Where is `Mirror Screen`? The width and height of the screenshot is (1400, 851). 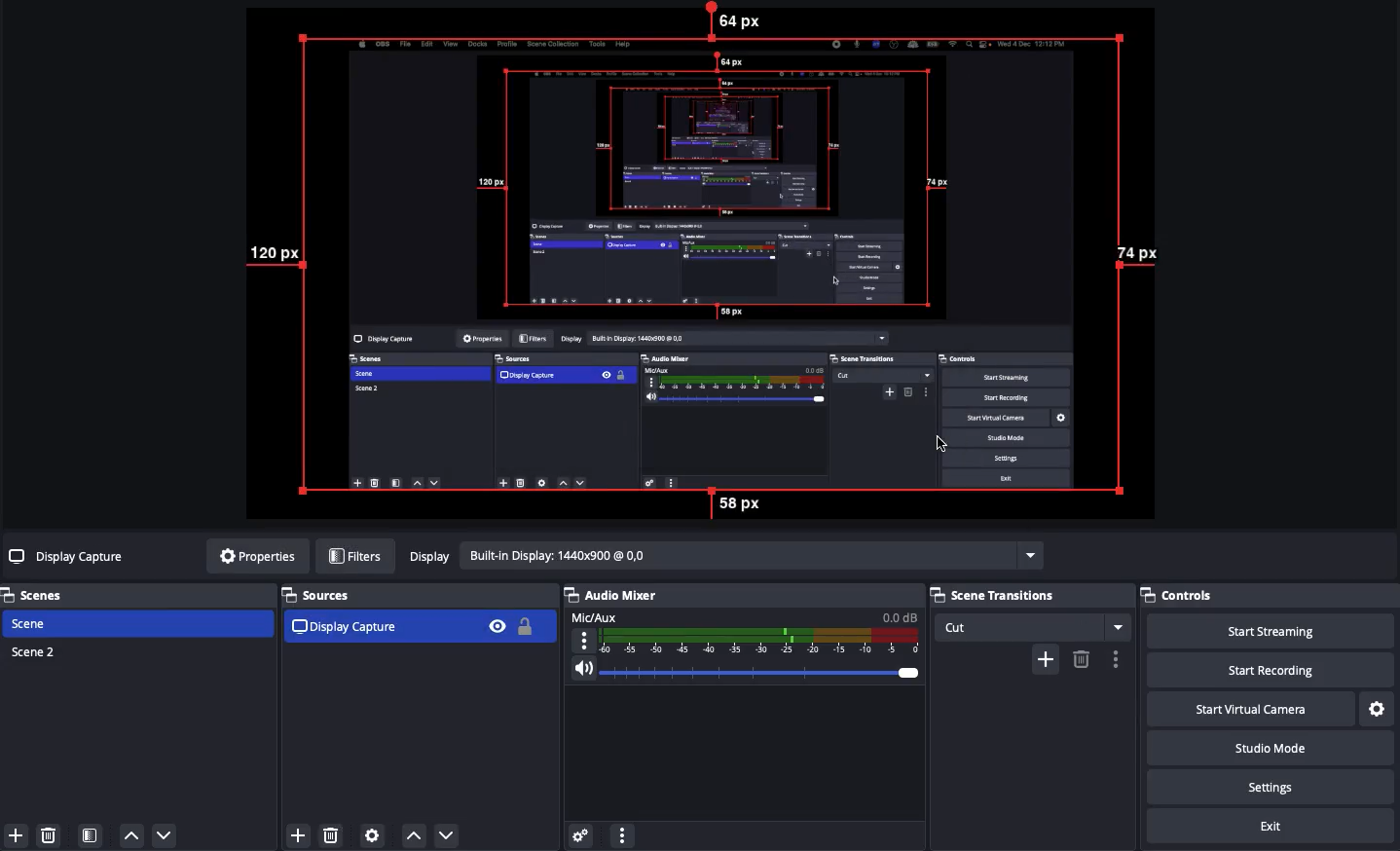 Mirror Screen is located at coordinates (710, 265).